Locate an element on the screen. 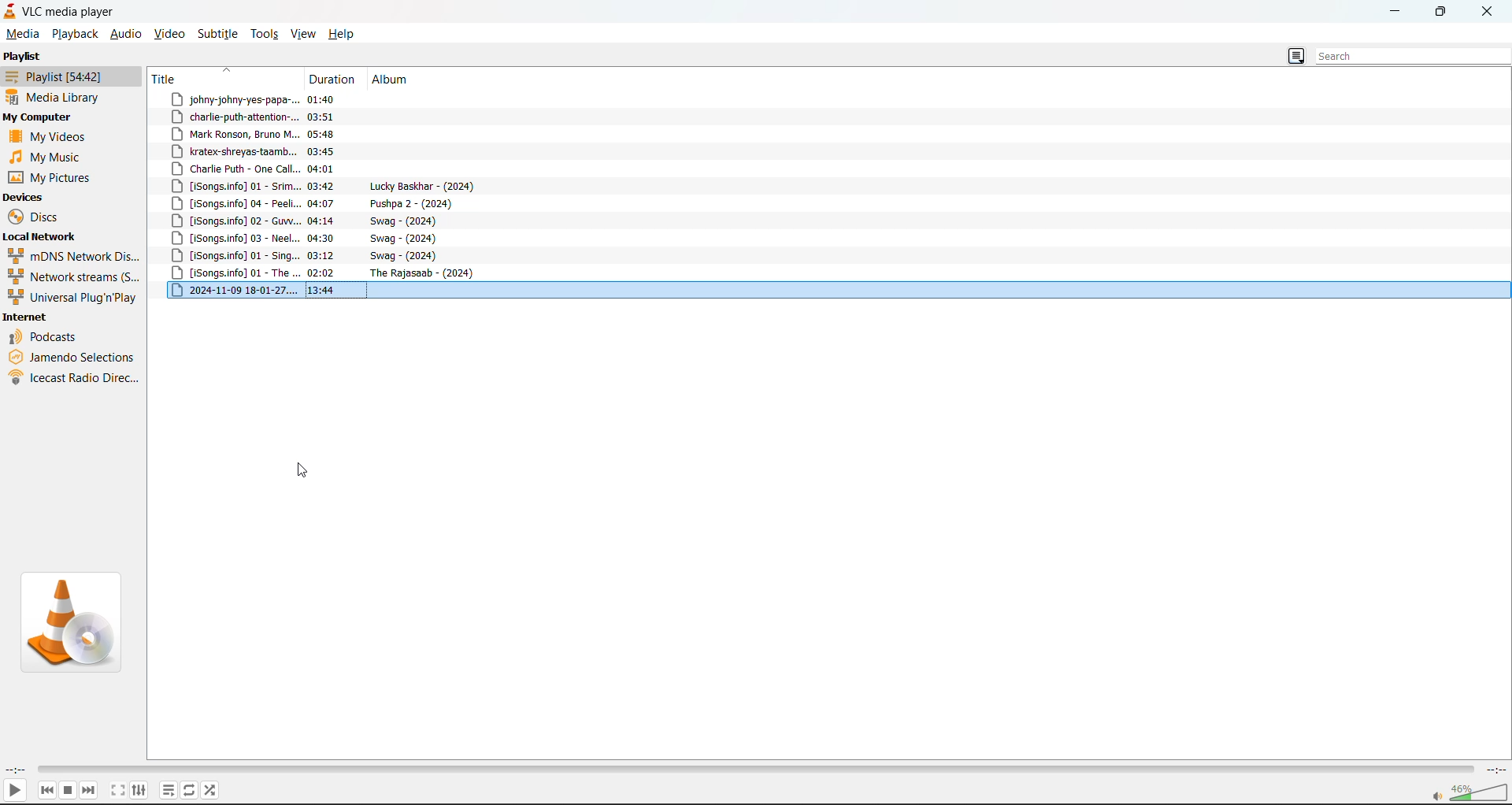 The height and width of the screenshot is (805, 1512). track 7 title, duration and album details is located at coordinates (315, 203).